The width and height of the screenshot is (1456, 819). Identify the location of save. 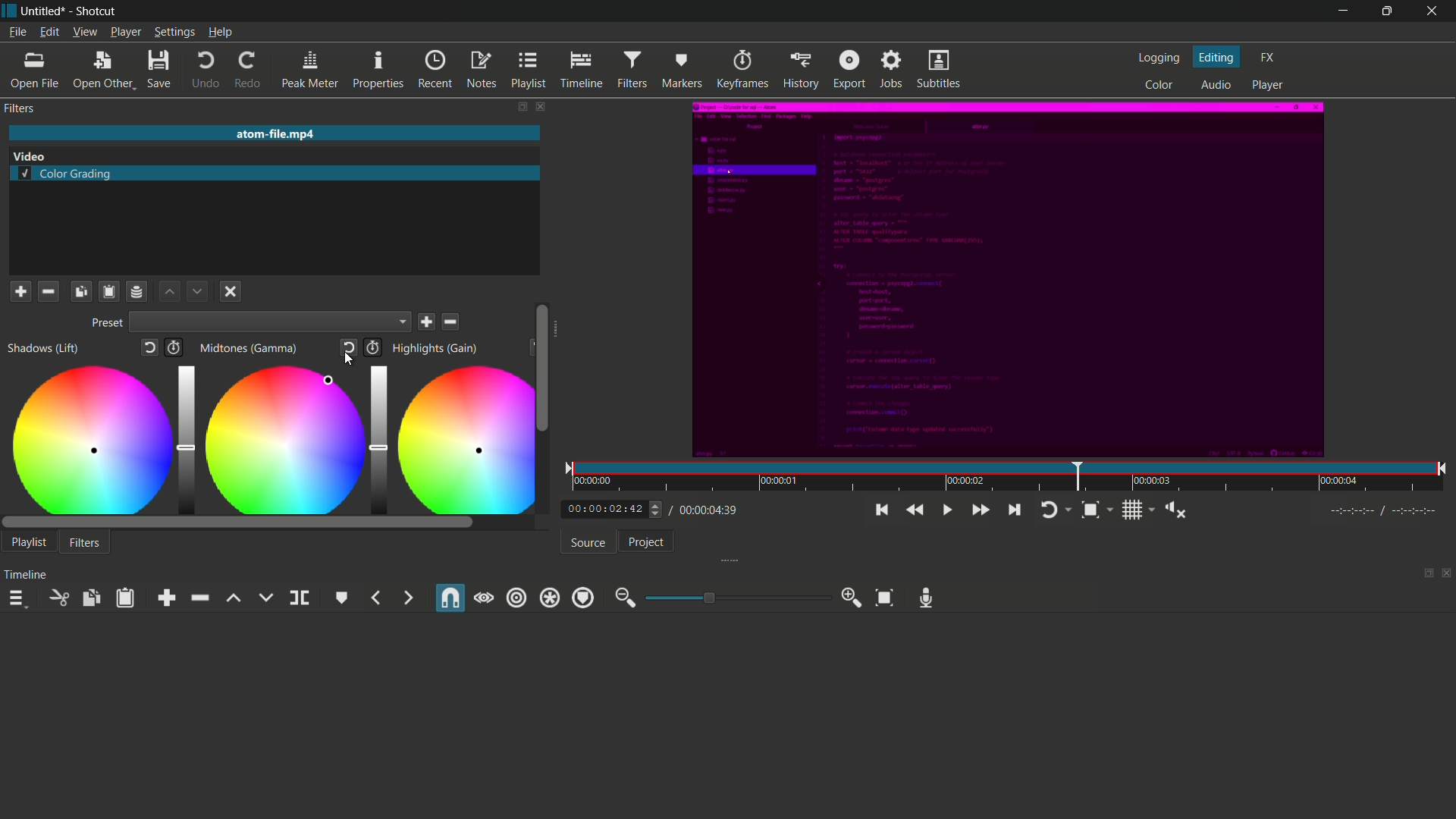
(428, 322).